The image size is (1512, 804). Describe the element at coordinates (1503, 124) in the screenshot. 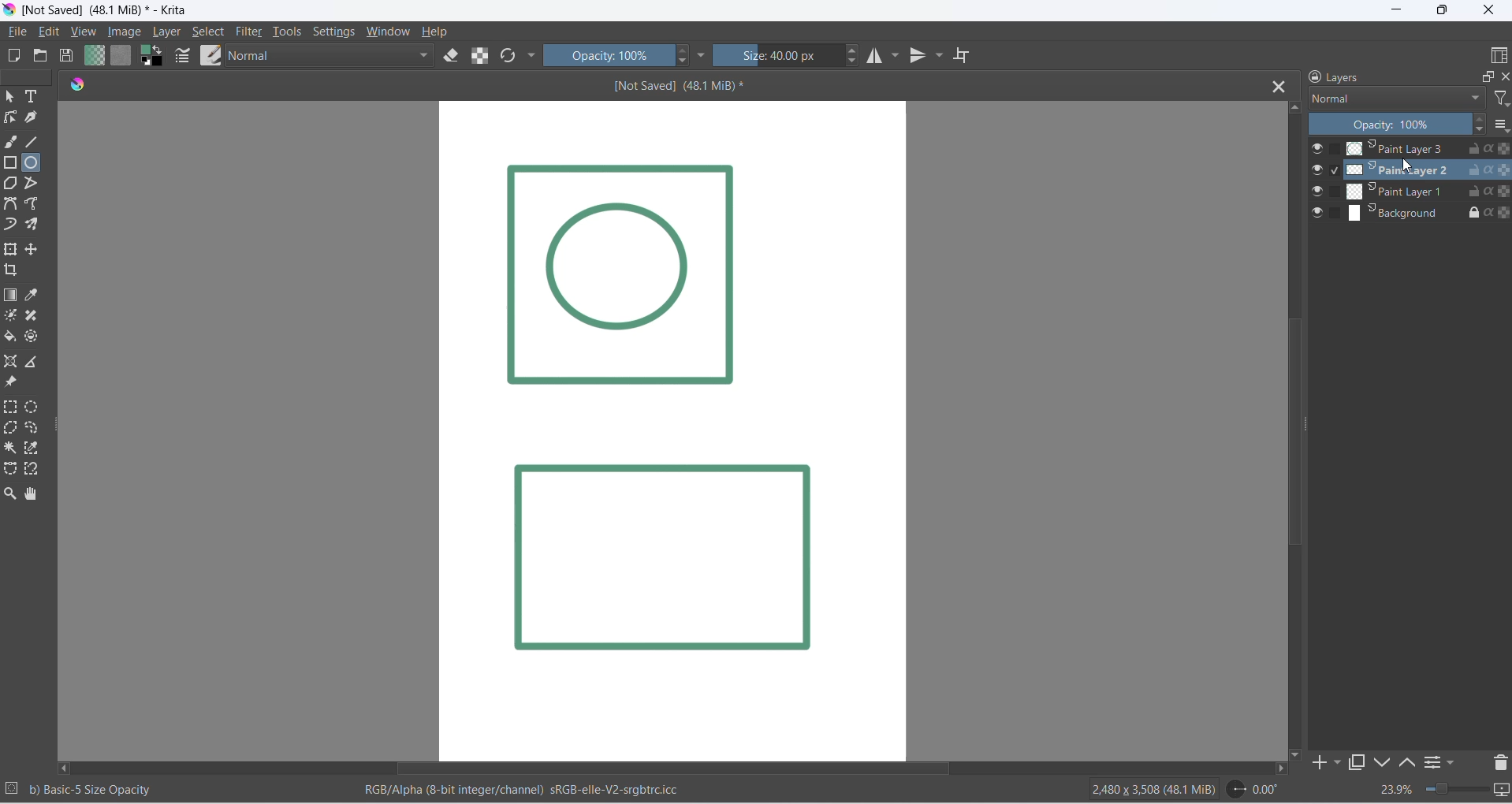

I see `options` at that location.